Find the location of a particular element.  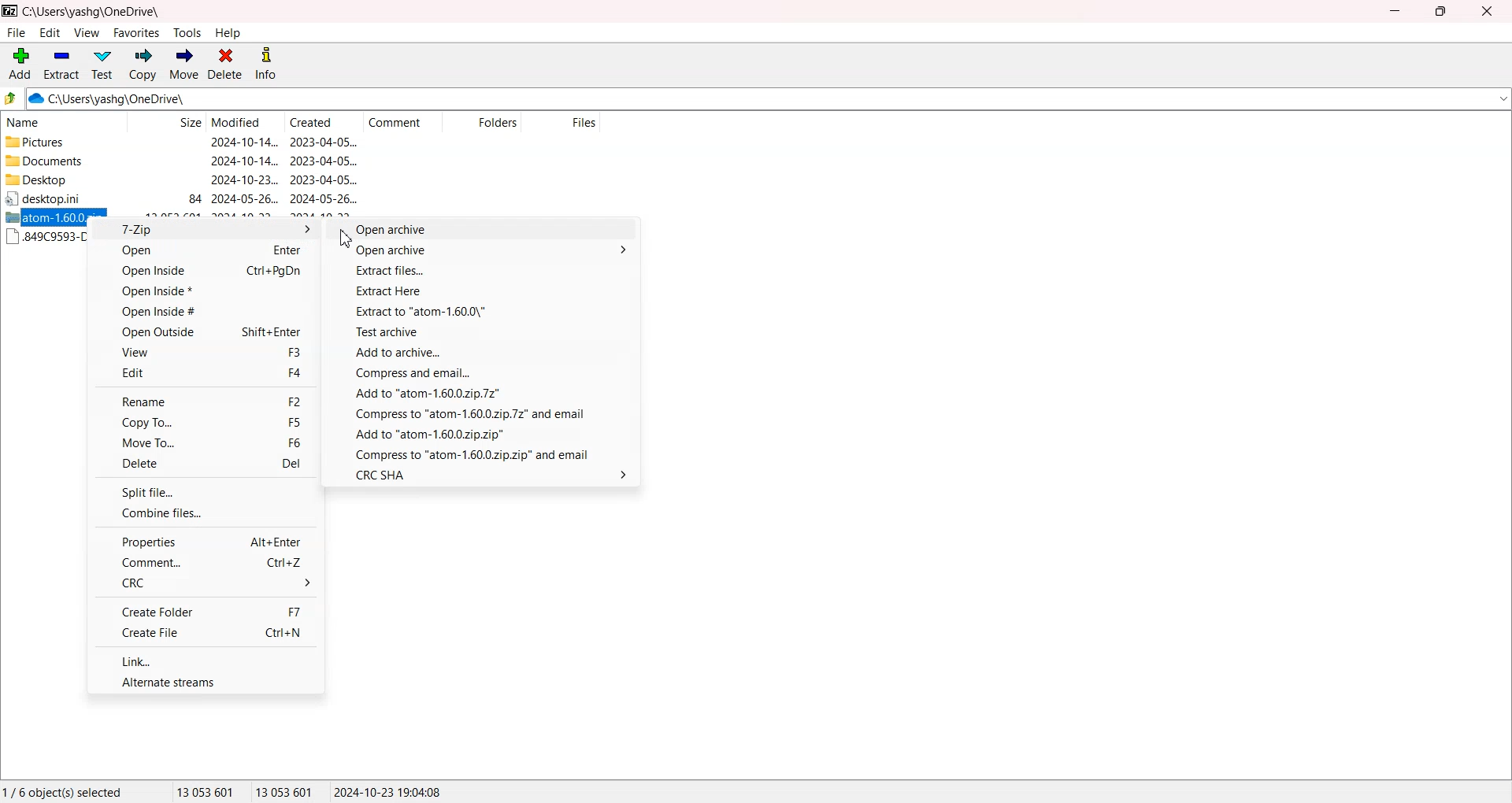

Created Date is located at coordinates (324, 123).